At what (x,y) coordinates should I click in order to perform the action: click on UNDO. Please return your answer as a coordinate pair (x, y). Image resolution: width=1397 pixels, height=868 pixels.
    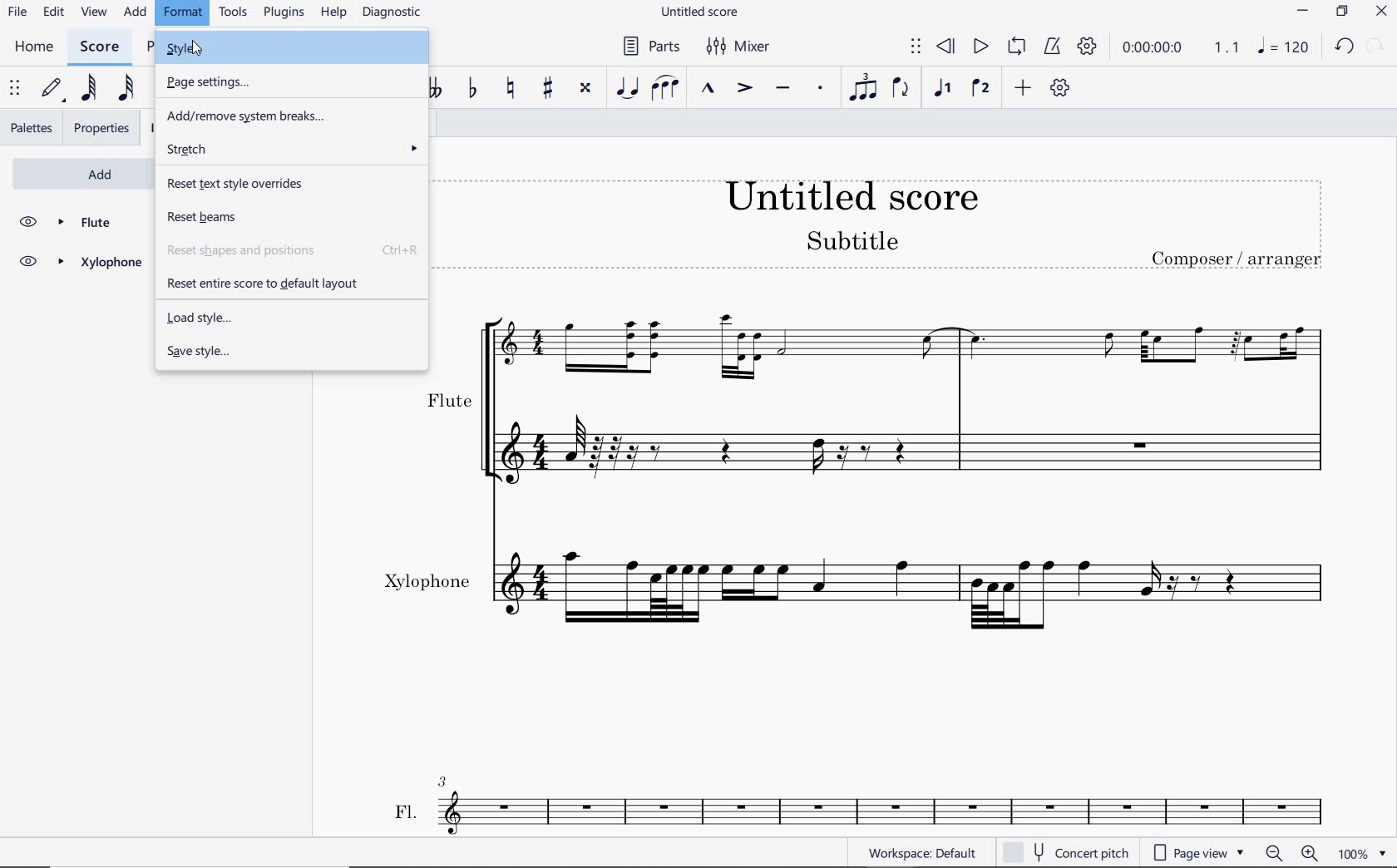
    Looking at the image, I should click on (1343, 47).